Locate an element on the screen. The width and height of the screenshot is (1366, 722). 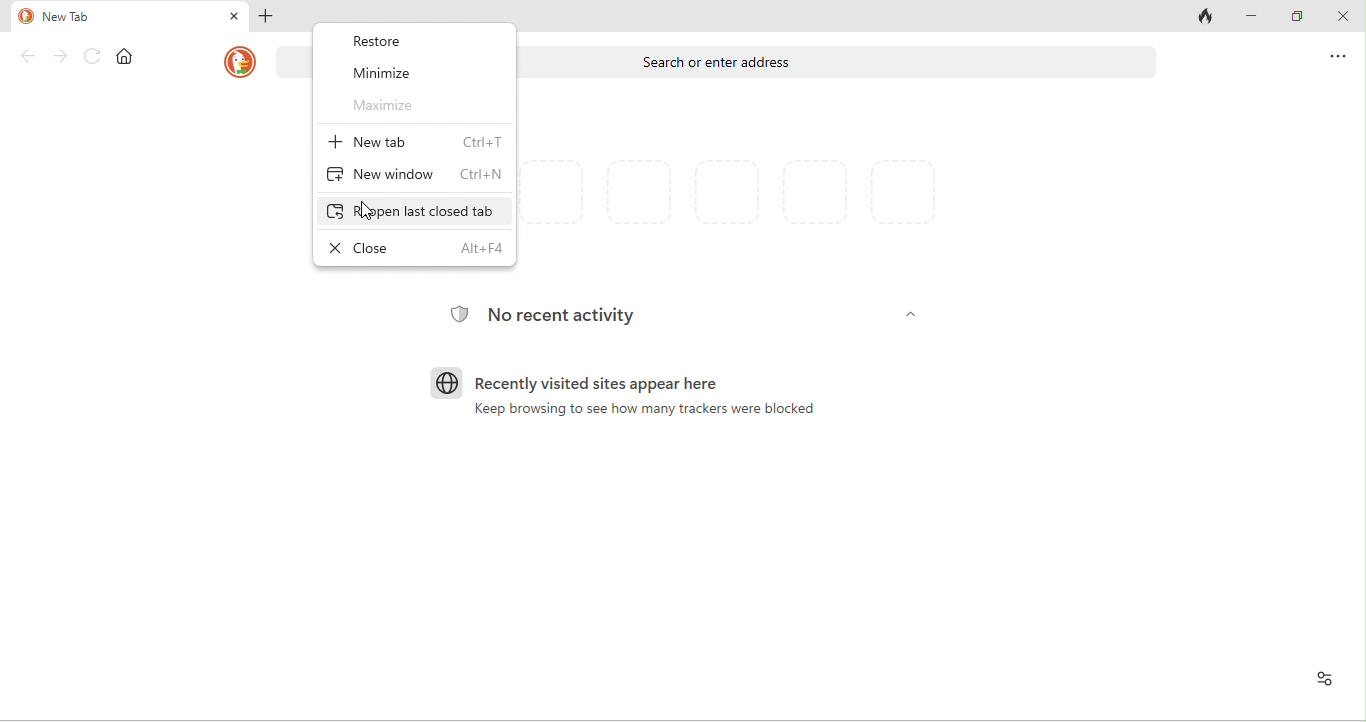
duckduck go logo is located at coordinates (25, 16).